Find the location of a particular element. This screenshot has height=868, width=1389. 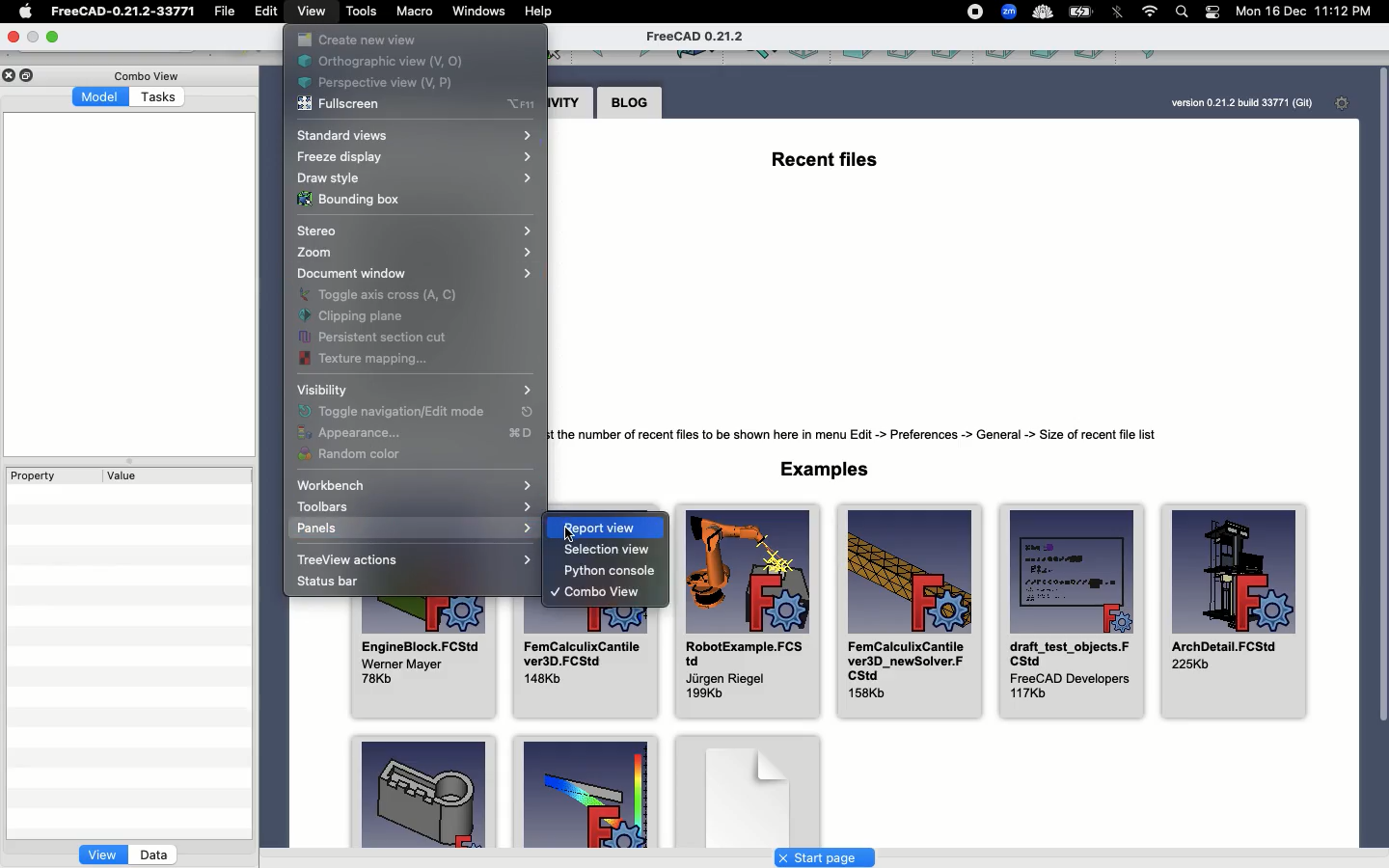

Random color is located at coordinates (355, 456).